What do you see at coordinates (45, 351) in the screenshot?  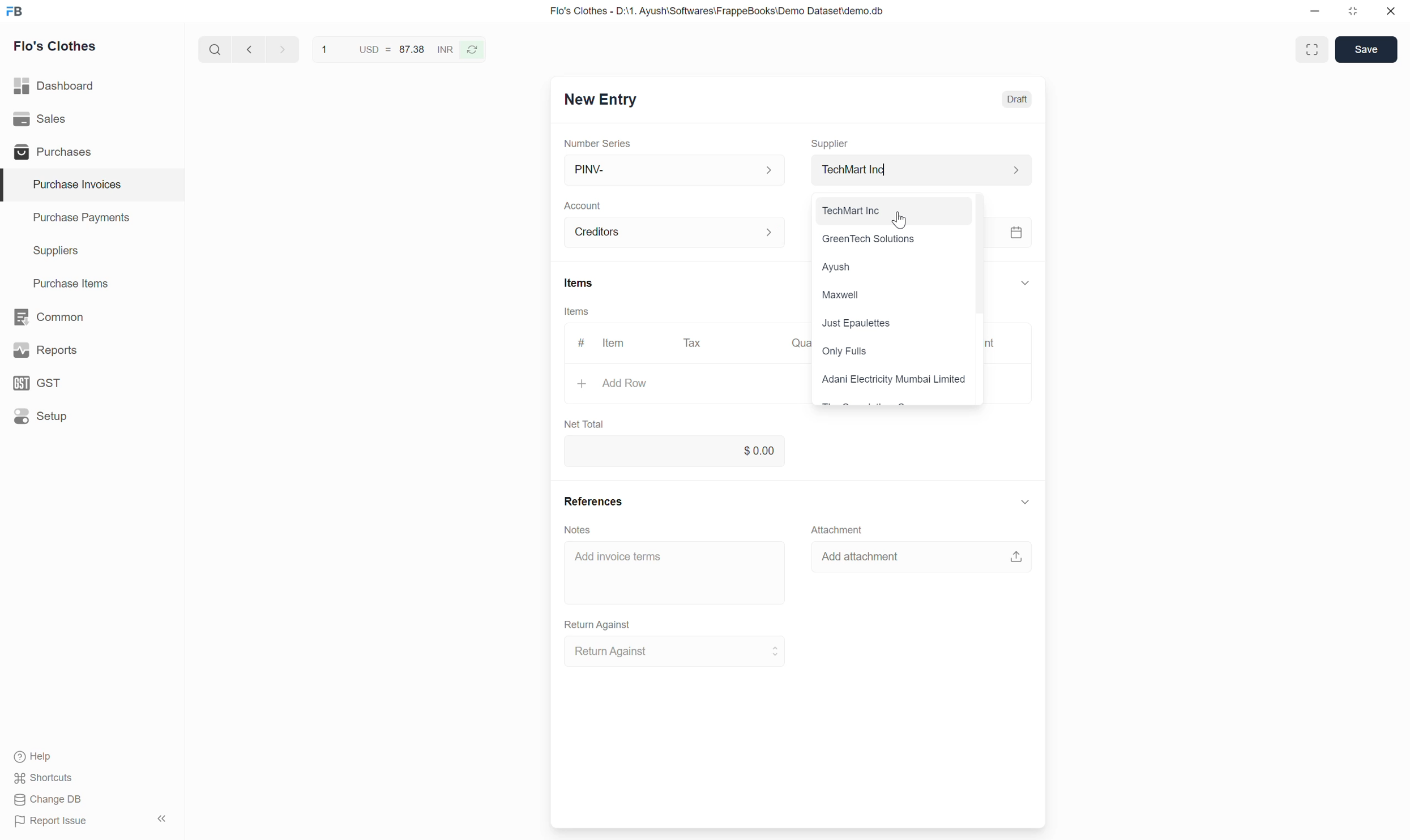 I see `y Reports` at bounding box center [45, 351].